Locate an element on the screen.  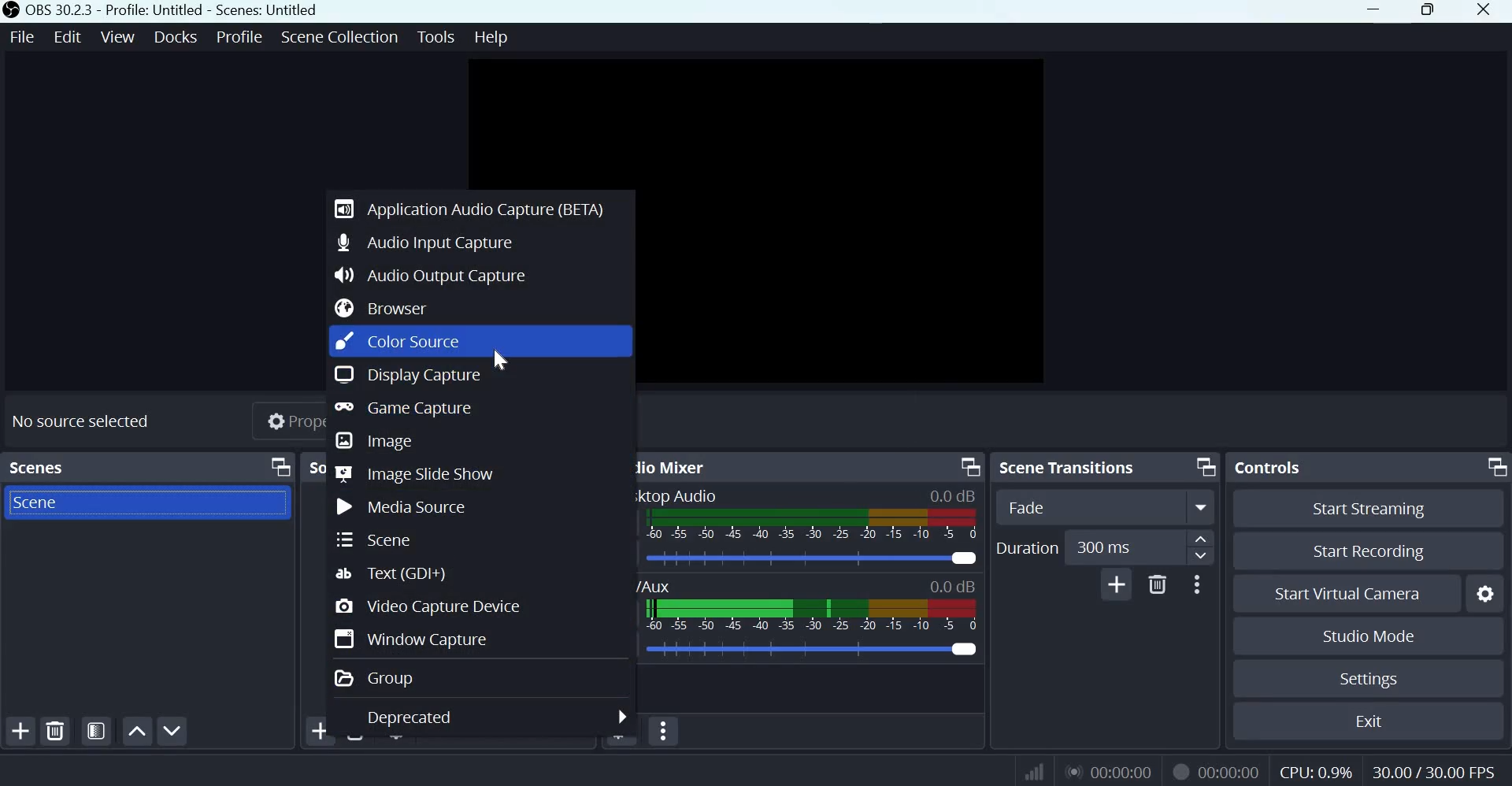
remove selected scene(s) is located at coordinates (58, 731).